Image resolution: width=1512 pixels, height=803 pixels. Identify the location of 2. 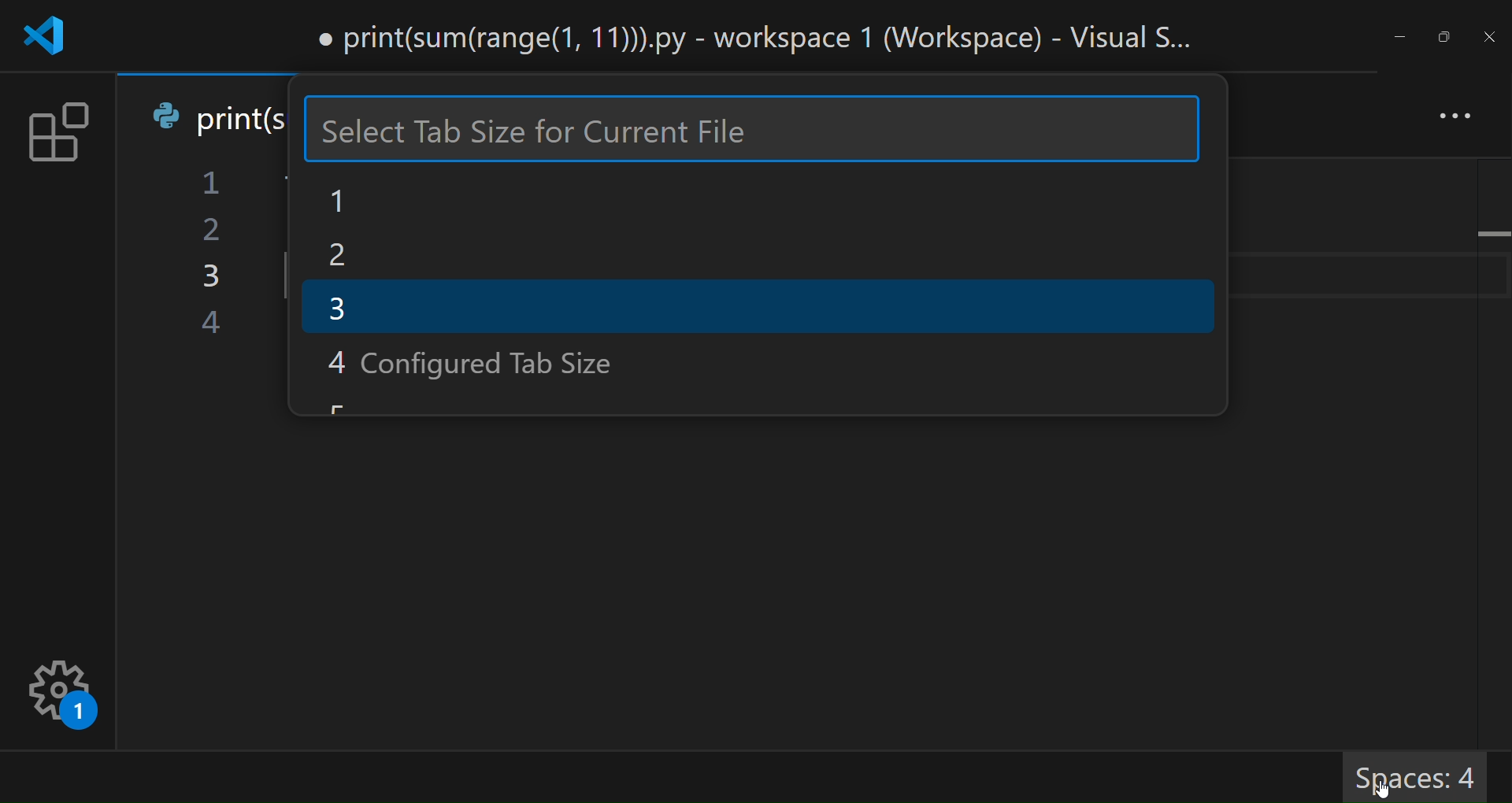
(362, 256).